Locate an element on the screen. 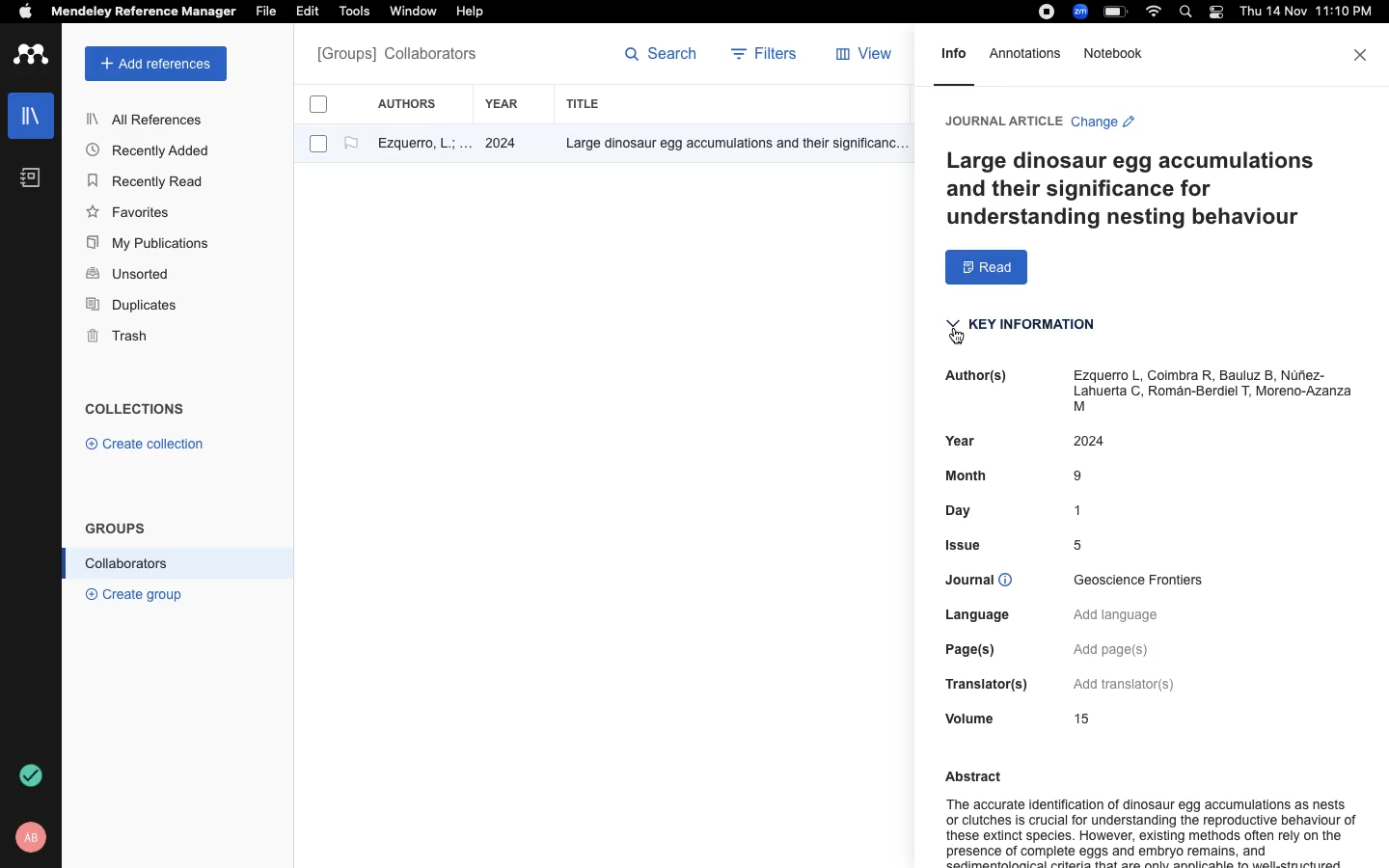  Author(s) is located at coordinates (971, 376).